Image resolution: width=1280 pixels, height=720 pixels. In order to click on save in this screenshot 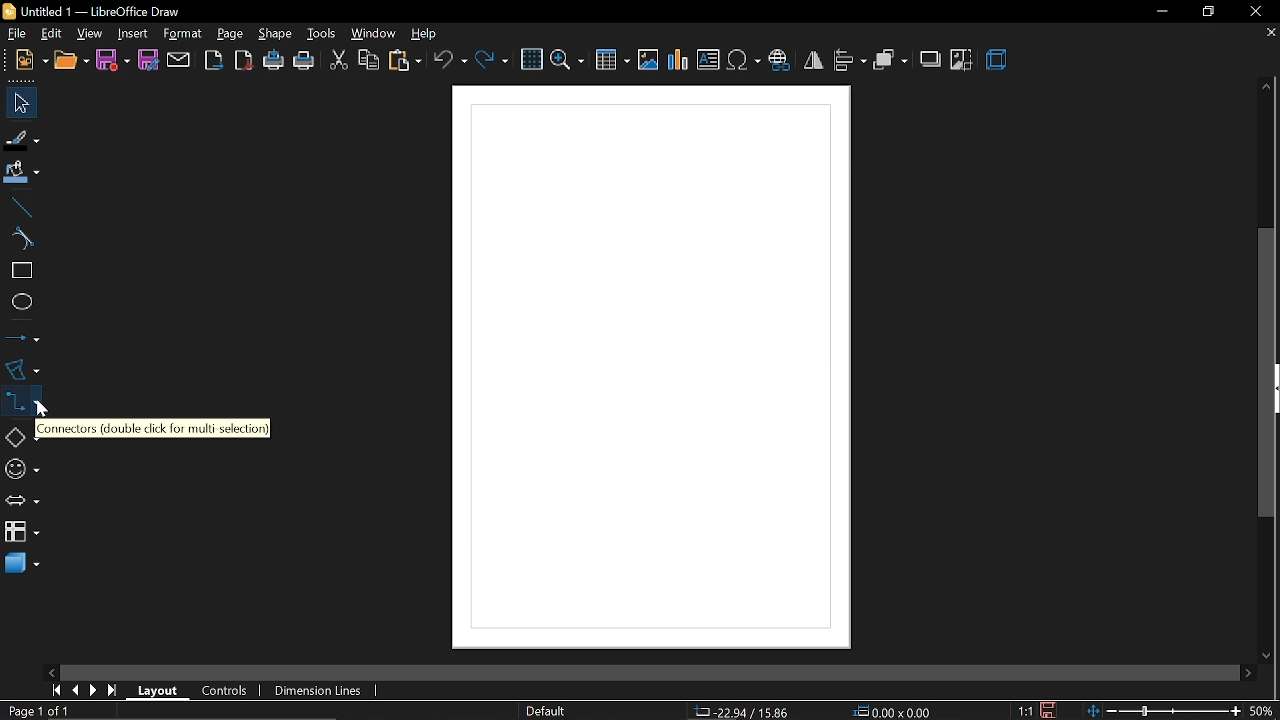, I will do `click(1051, 710)`.